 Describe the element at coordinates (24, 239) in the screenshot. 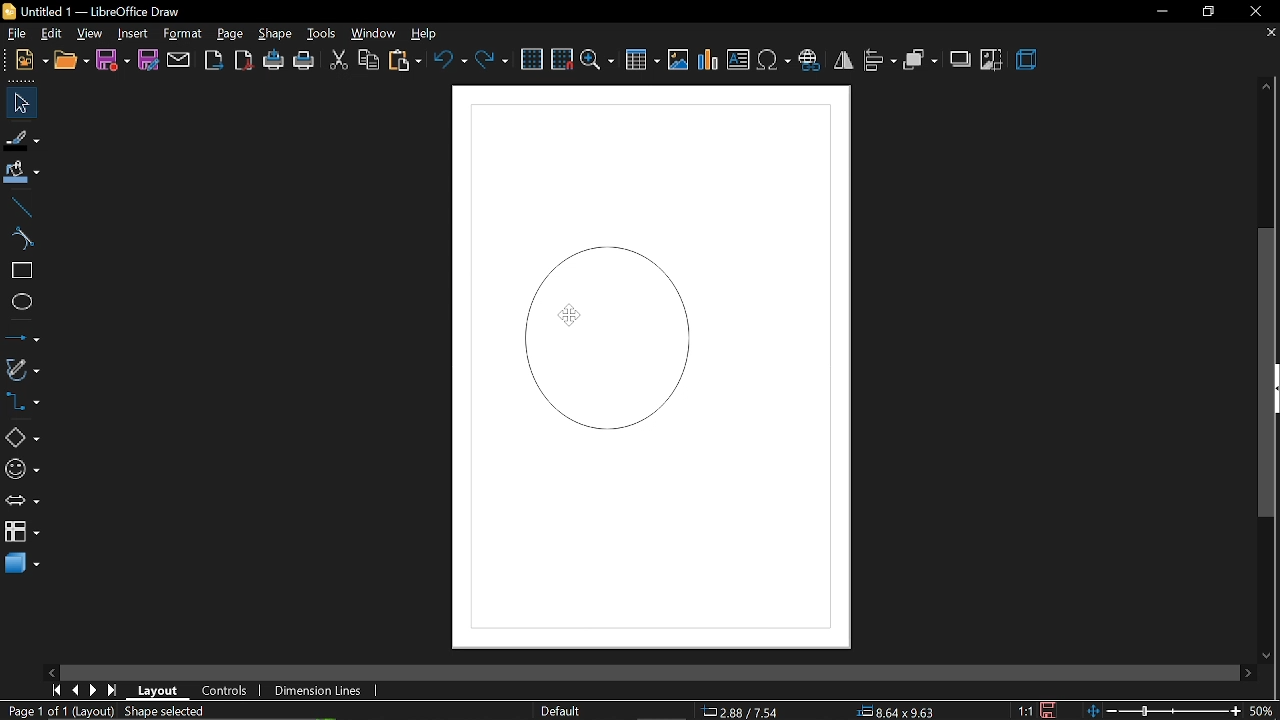

I see `curve` at that location.